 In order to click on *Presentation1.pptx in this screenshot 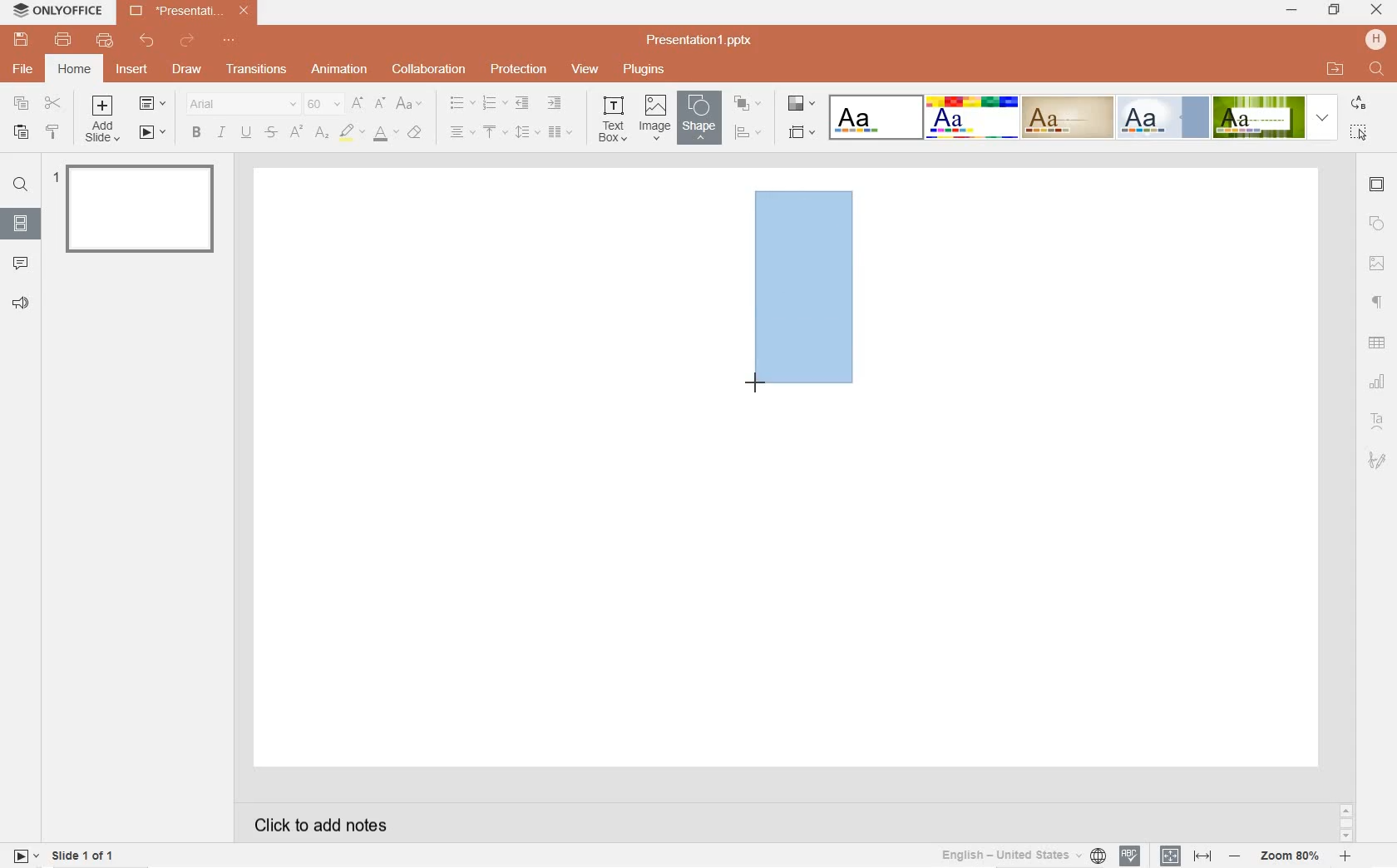, I will do `click(193, 12)`.